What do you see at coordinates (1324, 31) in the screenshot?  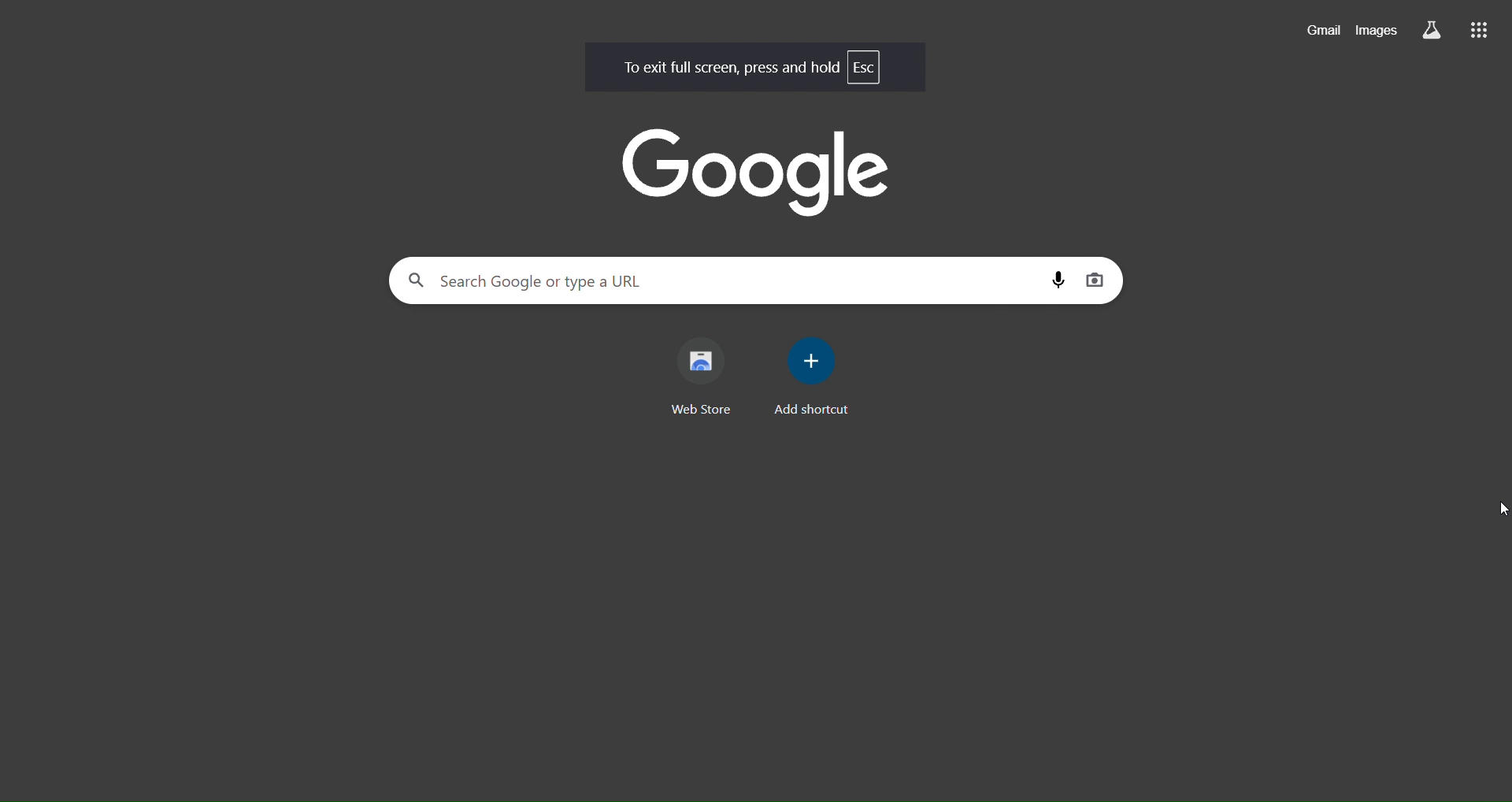 I see `gmail` at bounding box center [1324, 31].